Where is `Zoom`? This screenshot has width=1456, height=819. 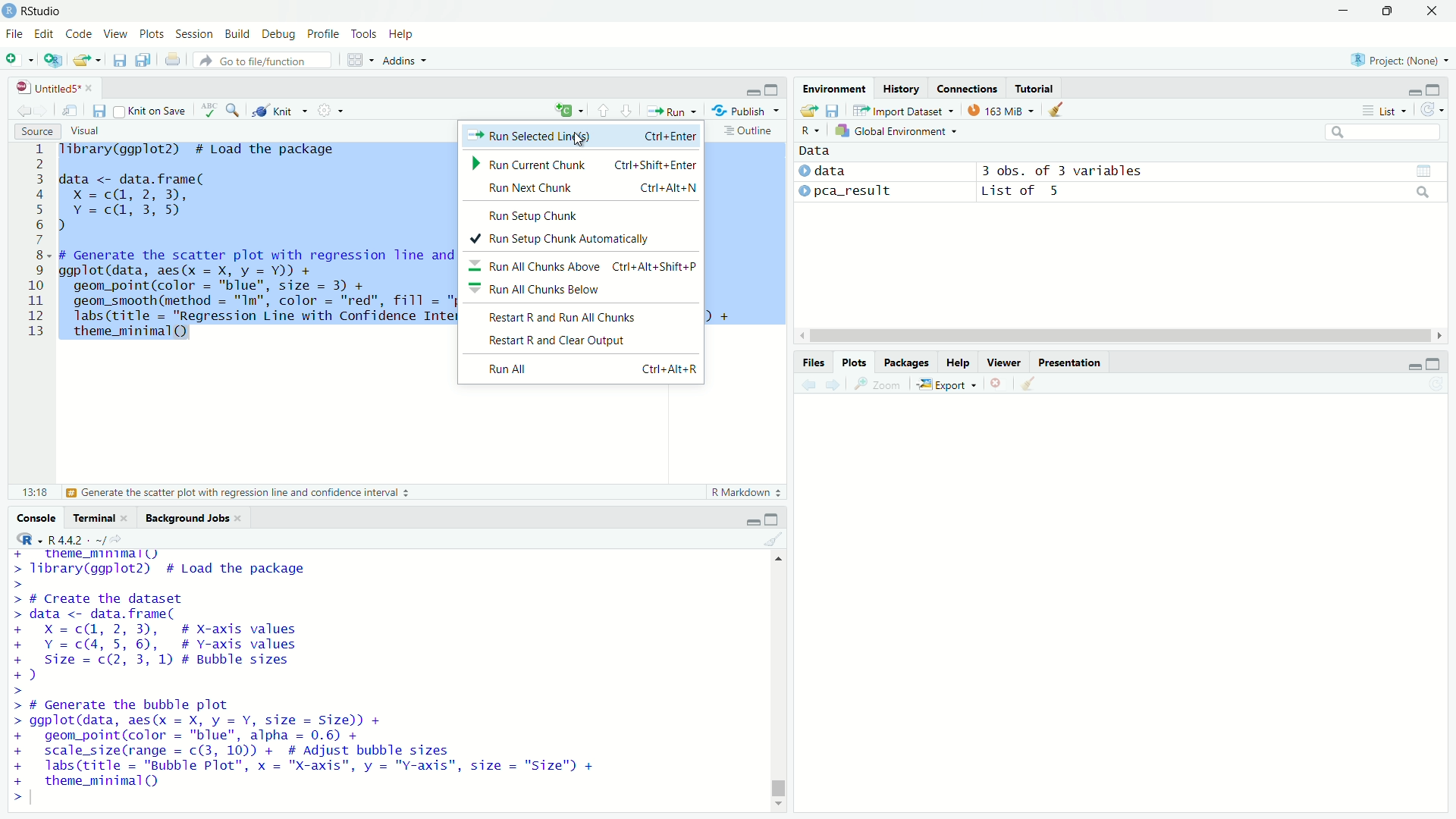
Zoom is located at coordinates (880, 384).